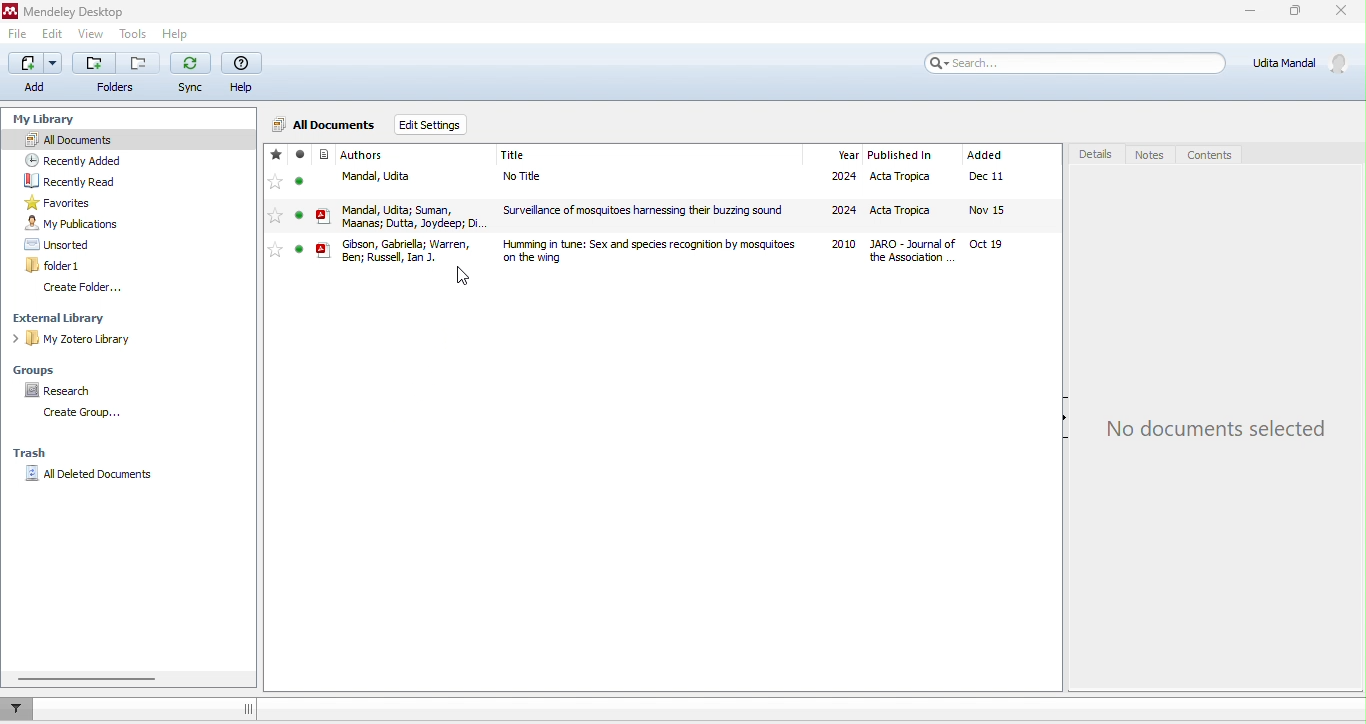  I want to click on journal title, so click(514, 156).